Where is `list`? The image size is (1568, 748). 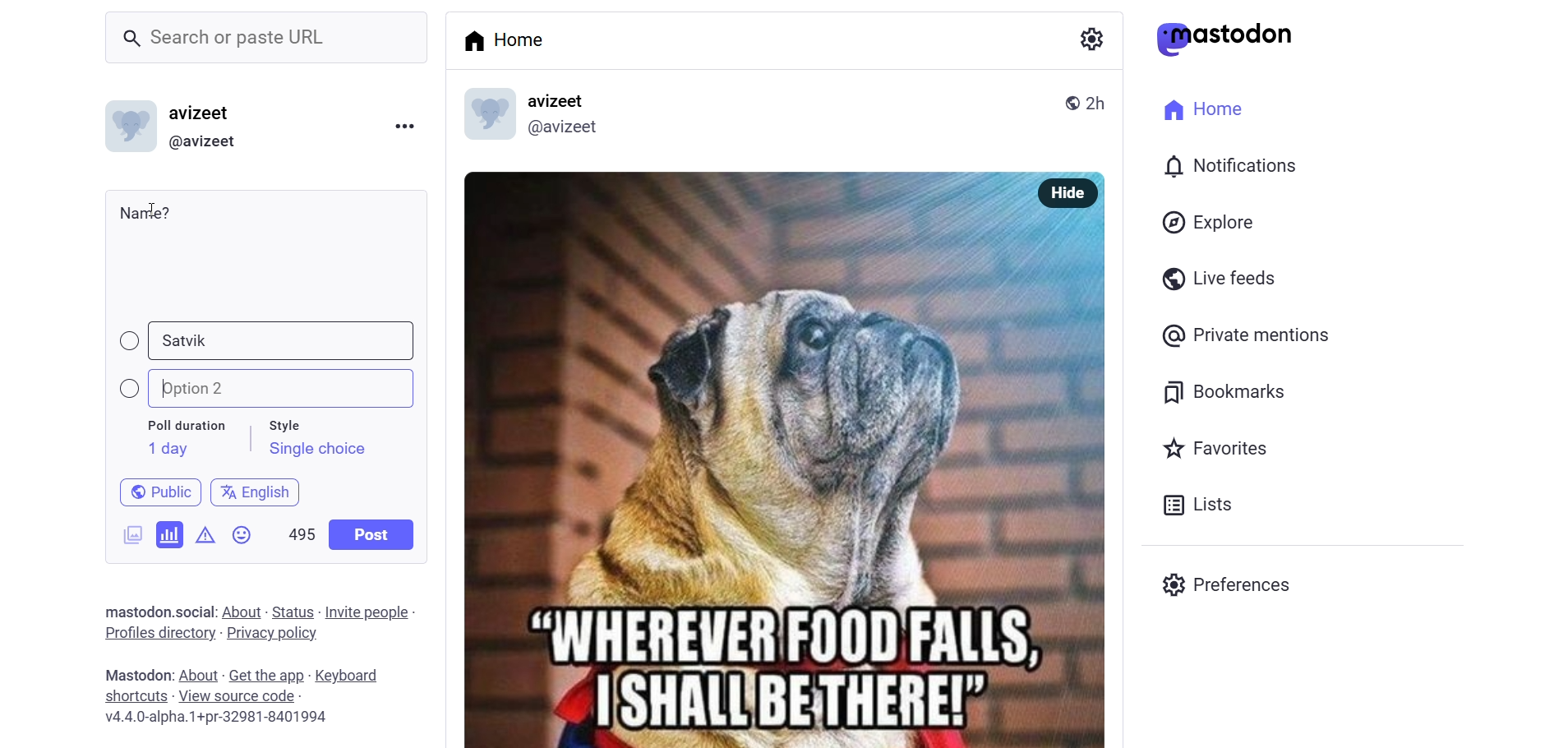 list is located at coordinates (1193, 505).